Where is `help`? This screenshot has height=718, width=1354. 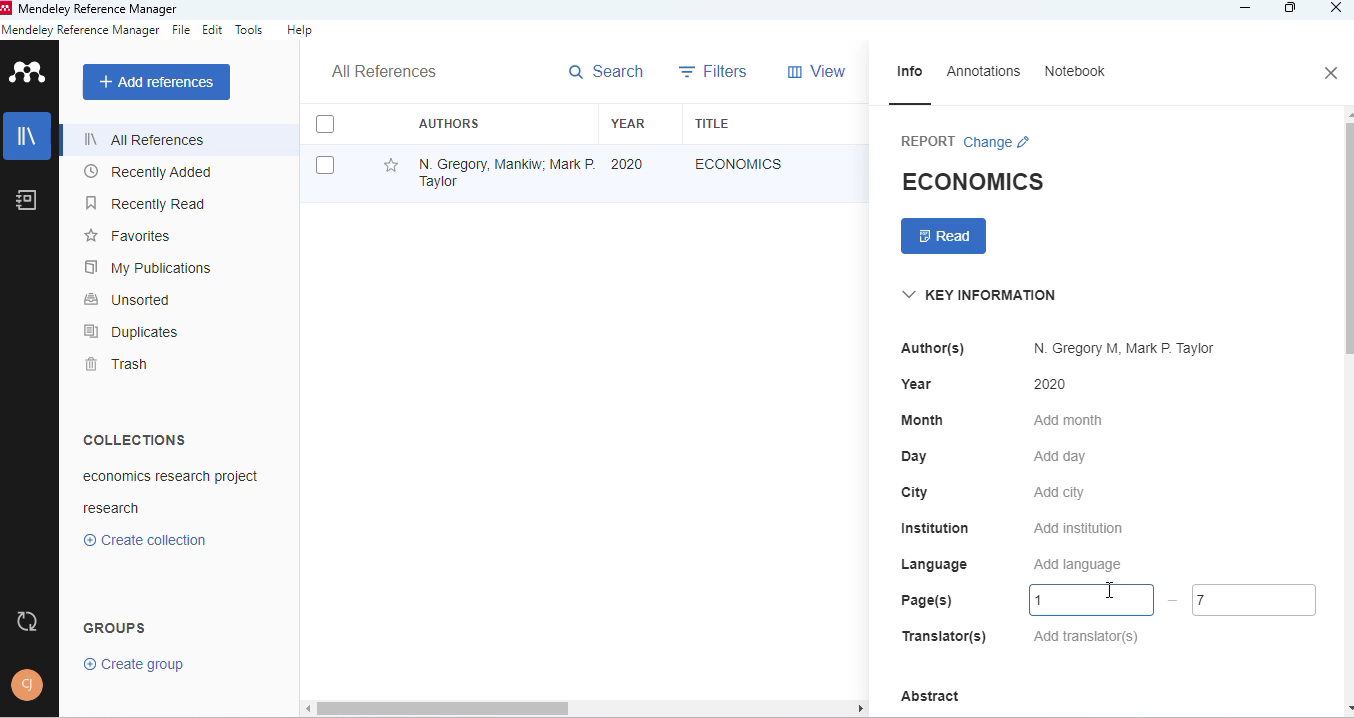 help is located at coordinates (300, 30).